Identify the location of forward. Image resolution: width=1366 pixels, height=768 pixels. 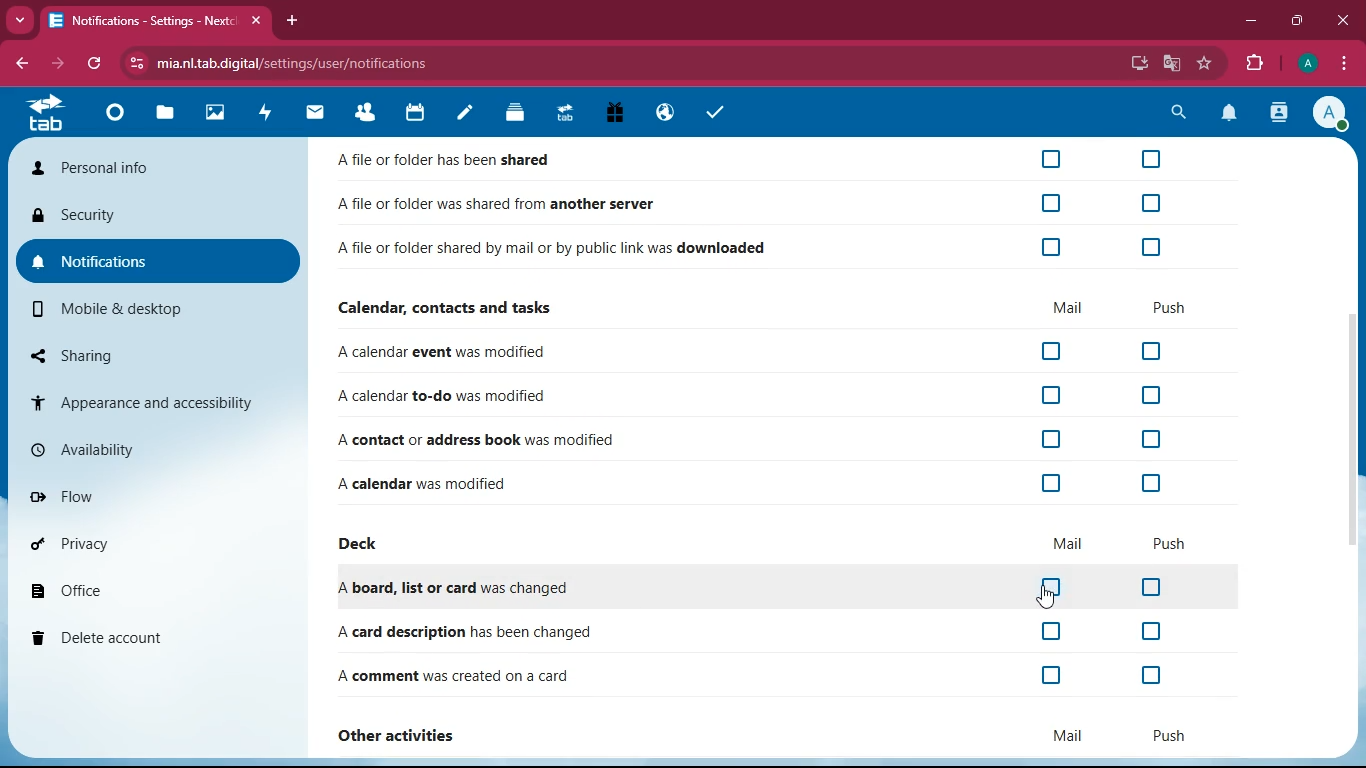
(55, 64).